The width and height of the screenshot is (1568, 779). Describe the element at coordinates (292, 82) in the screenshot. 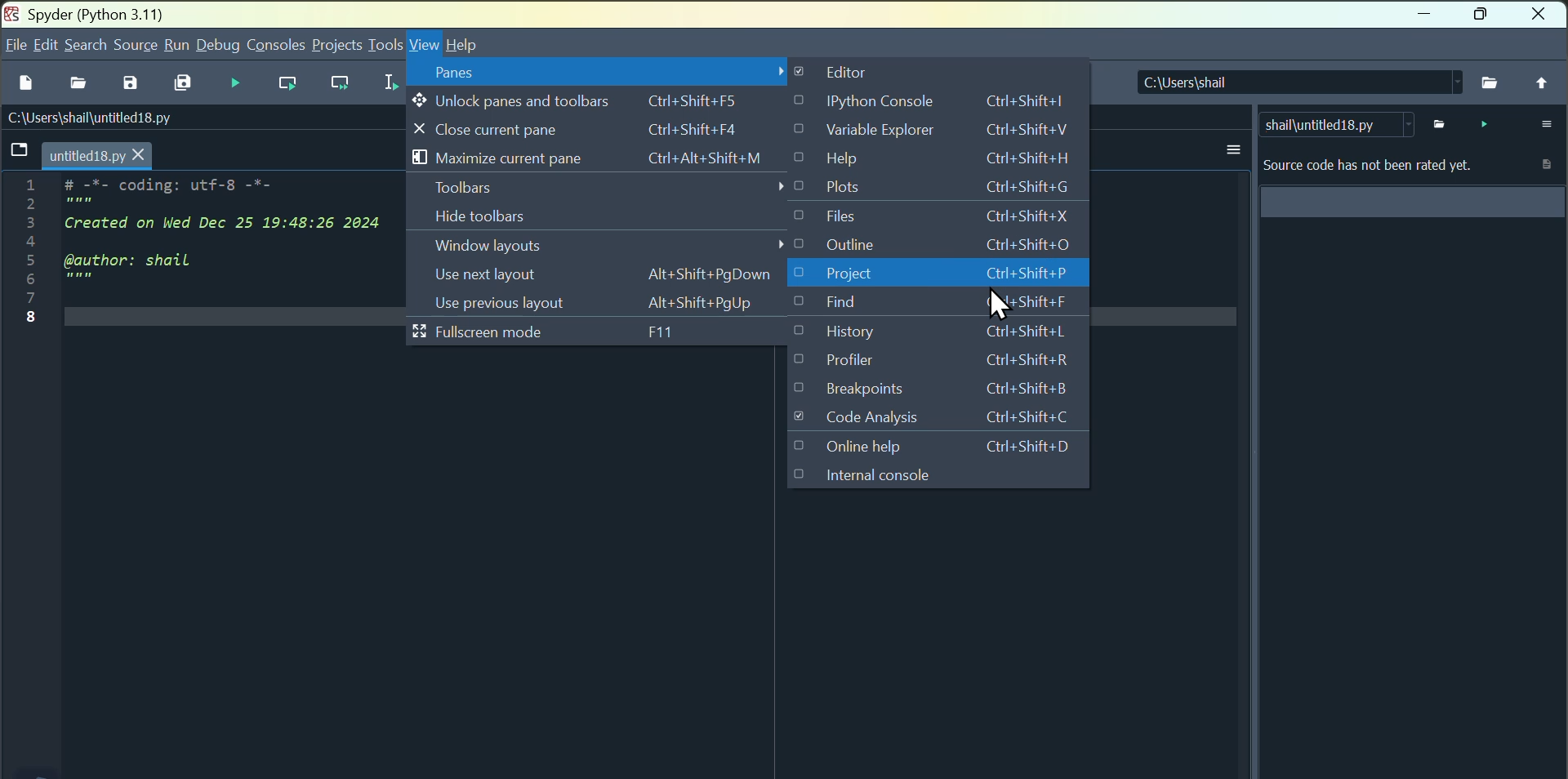

I see `Run Current cell` at that location.